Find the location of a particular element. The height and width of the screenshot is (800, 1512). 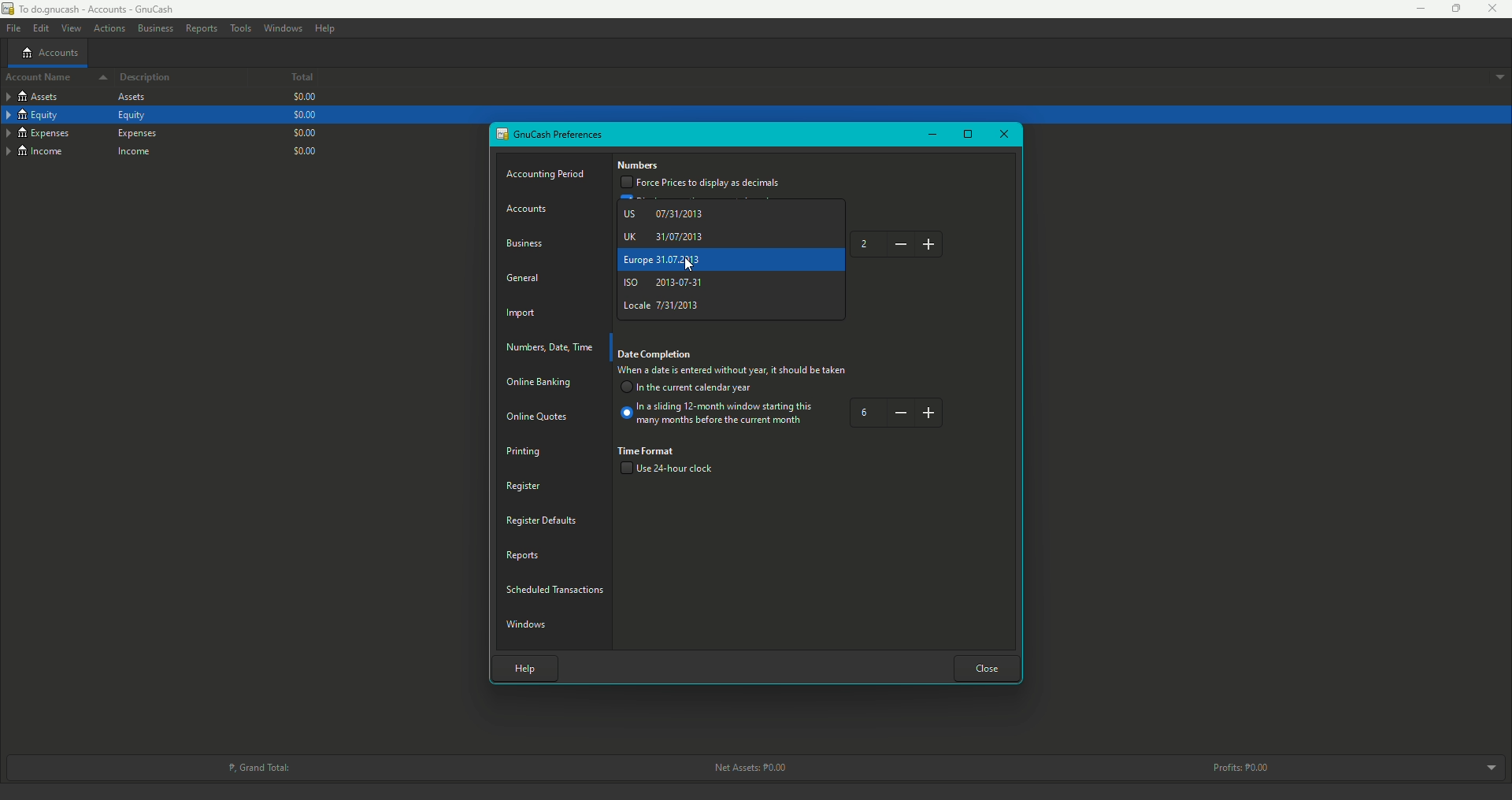

Locale is located at coordinates (665, 305).